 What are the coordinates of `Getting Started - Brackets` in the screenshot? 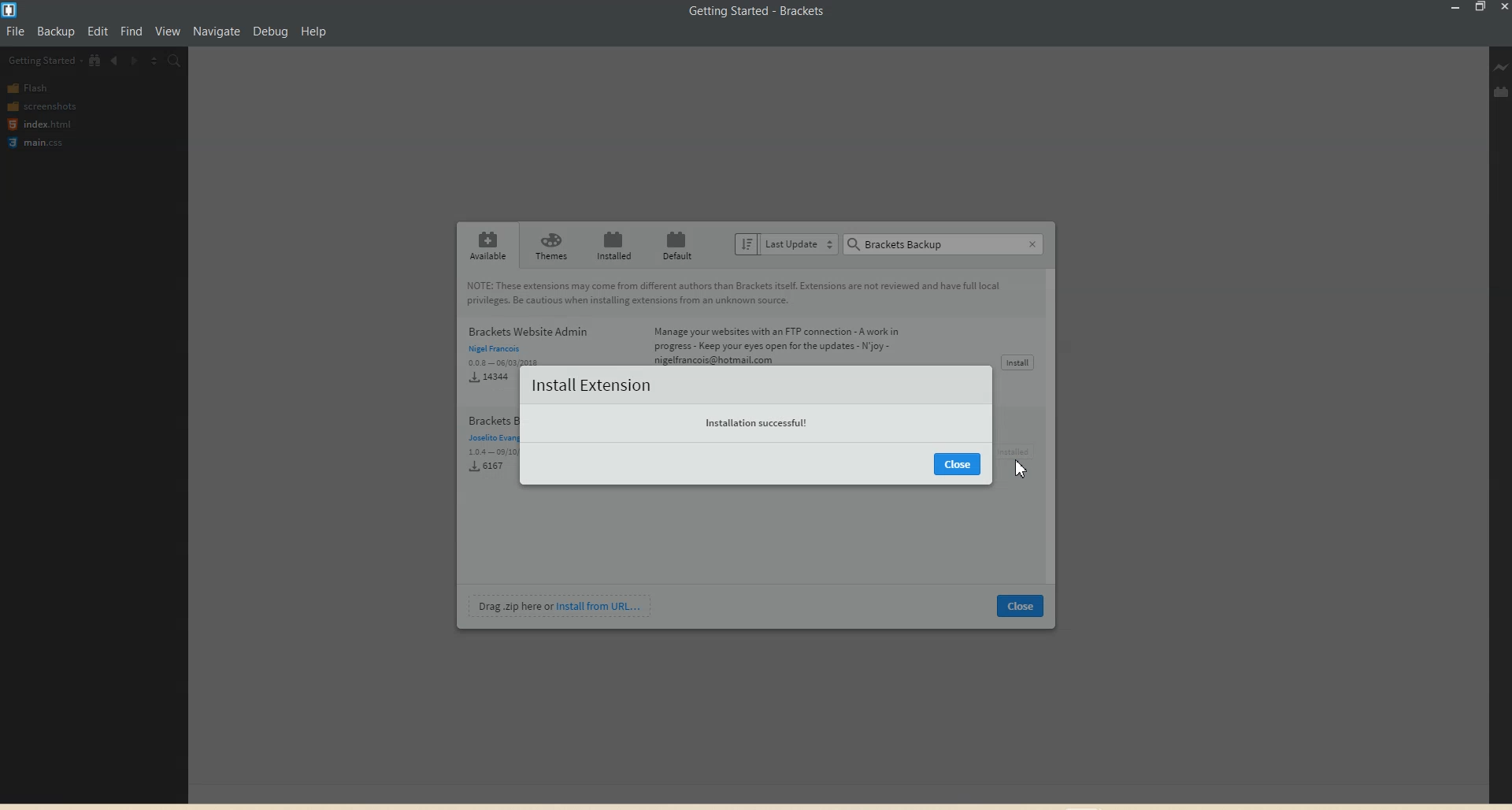 It's located at (756, 12).